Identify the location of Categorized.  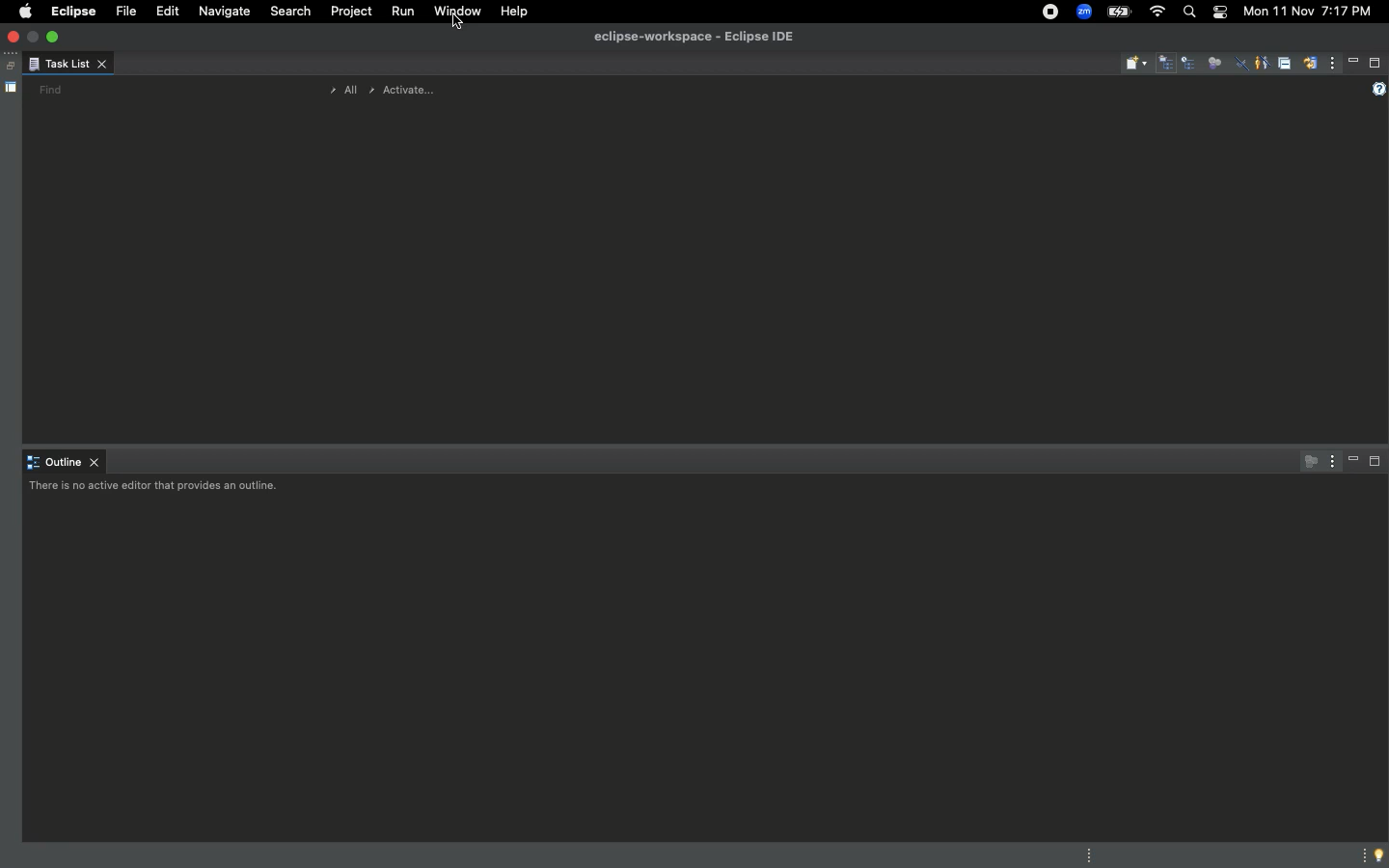
(1167, 65).